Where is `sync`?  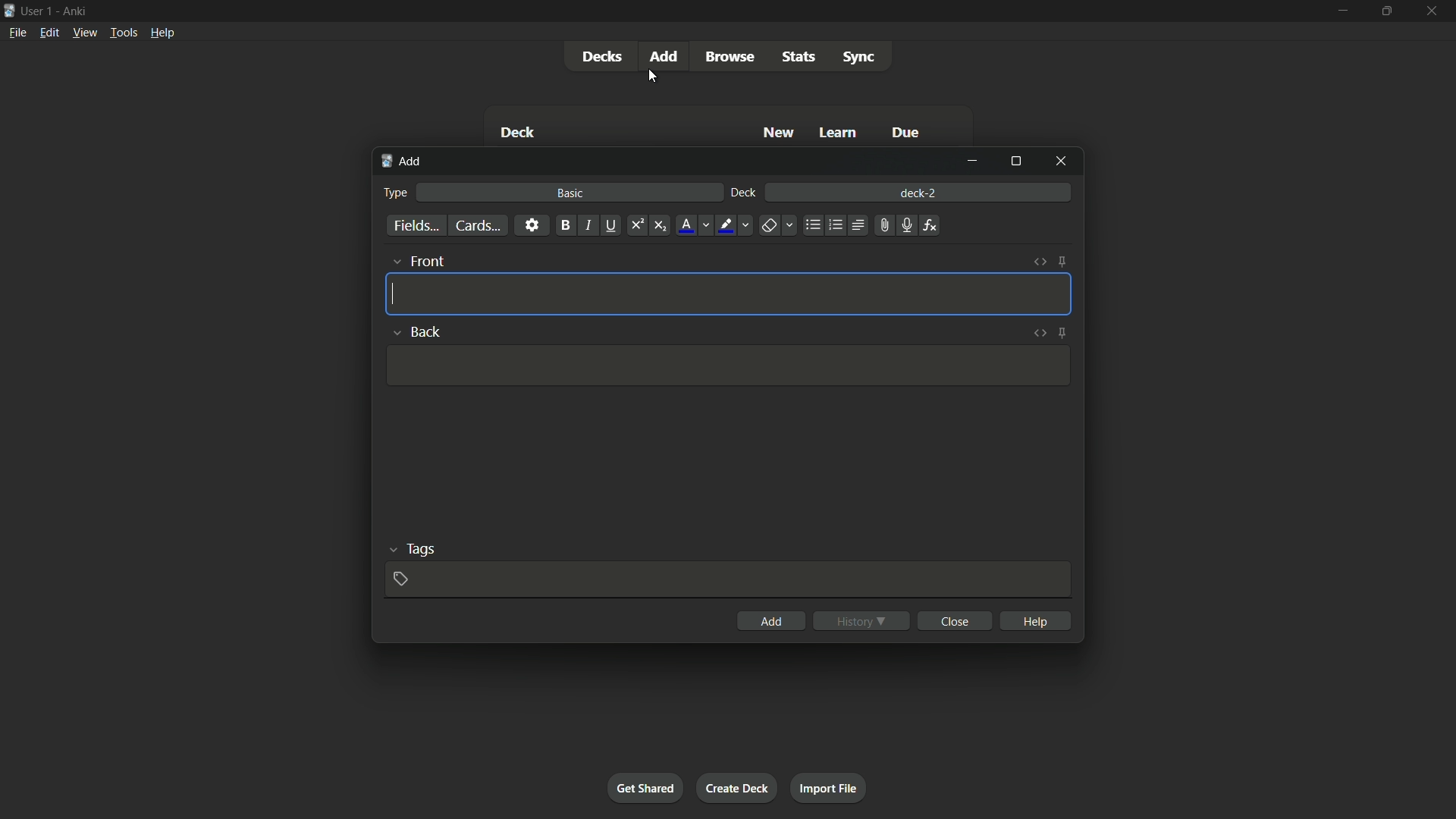
sync is located at coordinates (859, 58).